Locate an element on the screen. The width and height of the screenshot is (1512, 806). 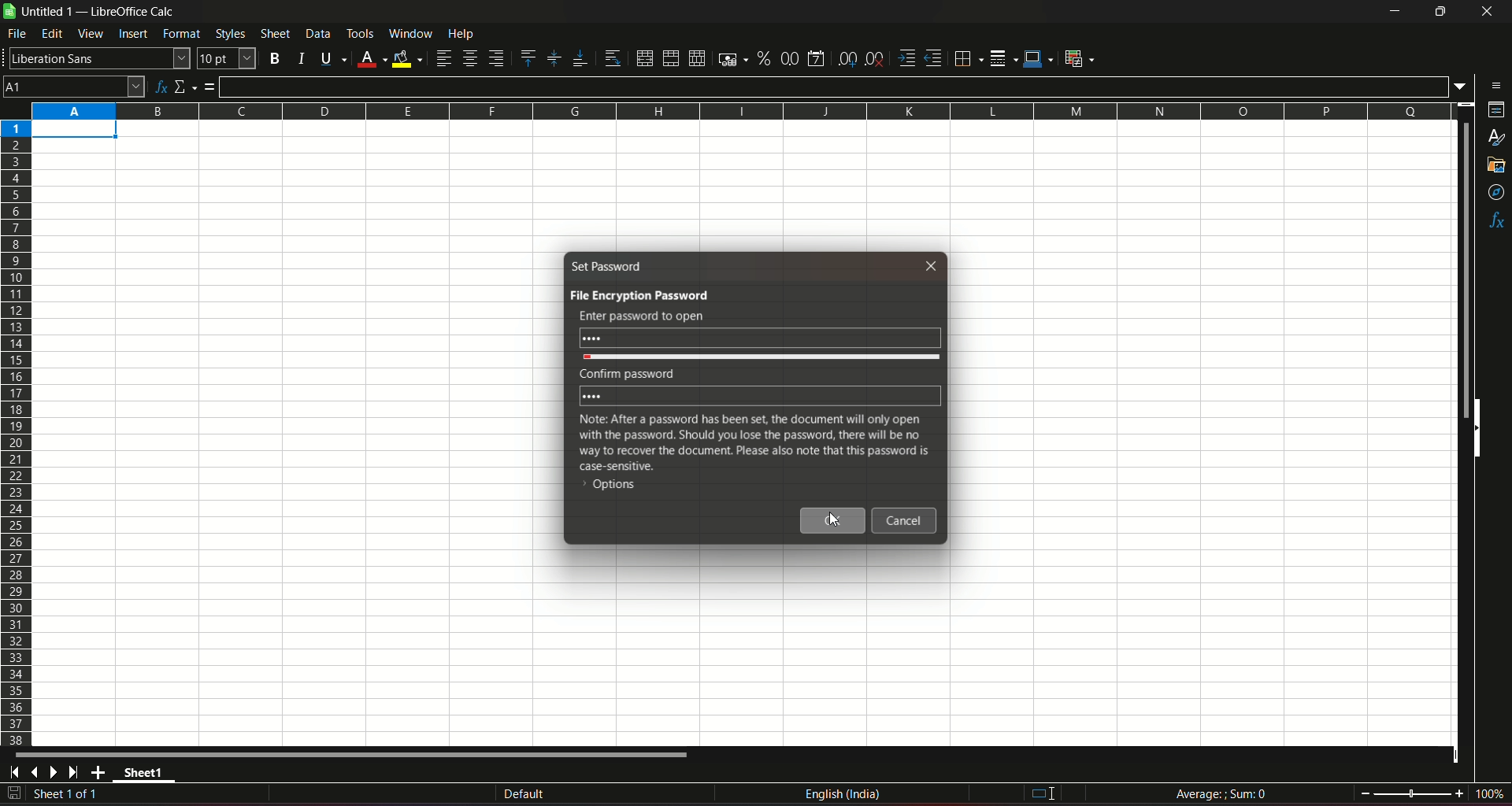
zoom out is located at coordinates (1365, 792).